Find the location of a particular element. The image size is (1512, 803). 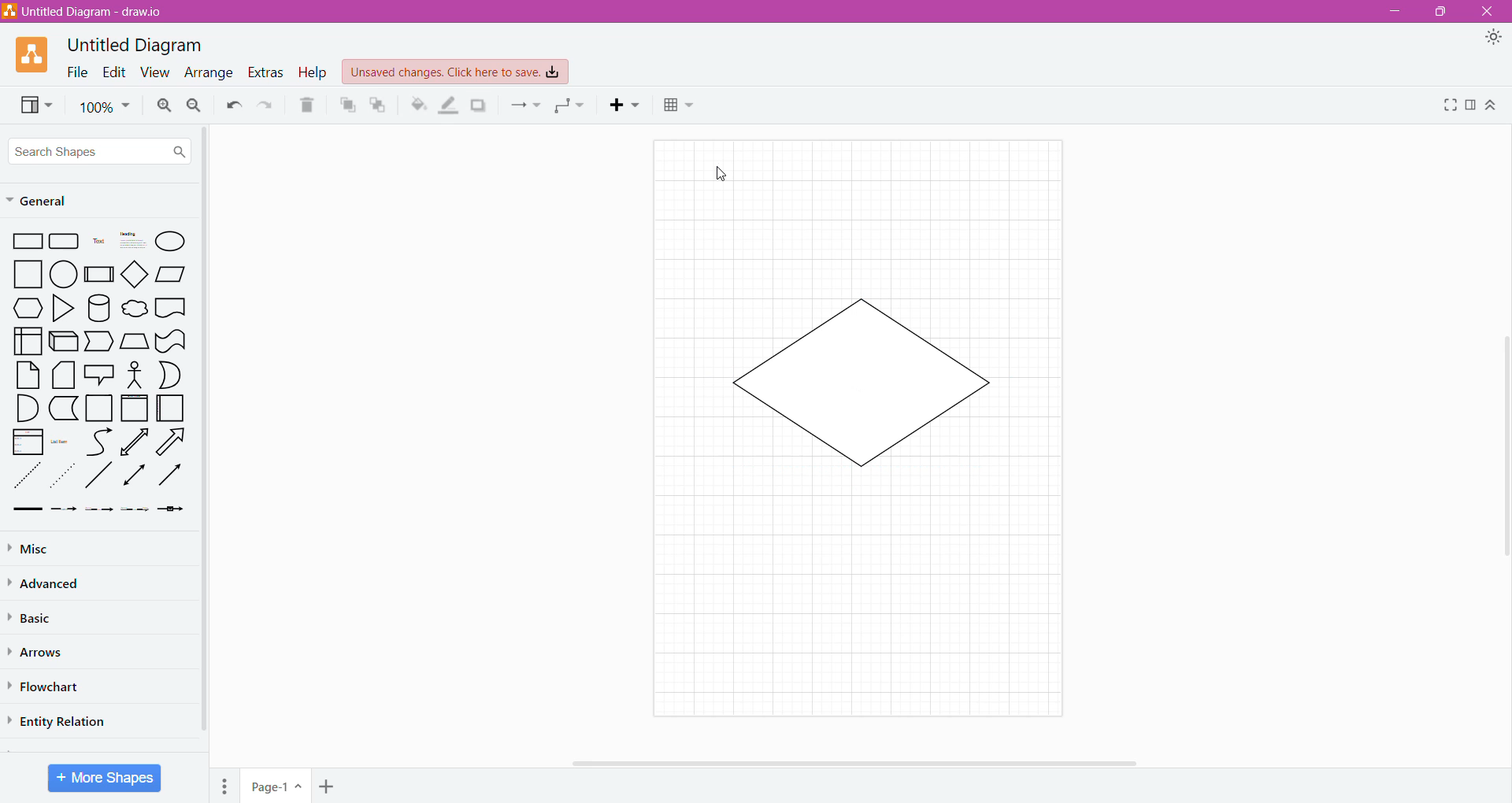

And is located at coordinates (27, 409).